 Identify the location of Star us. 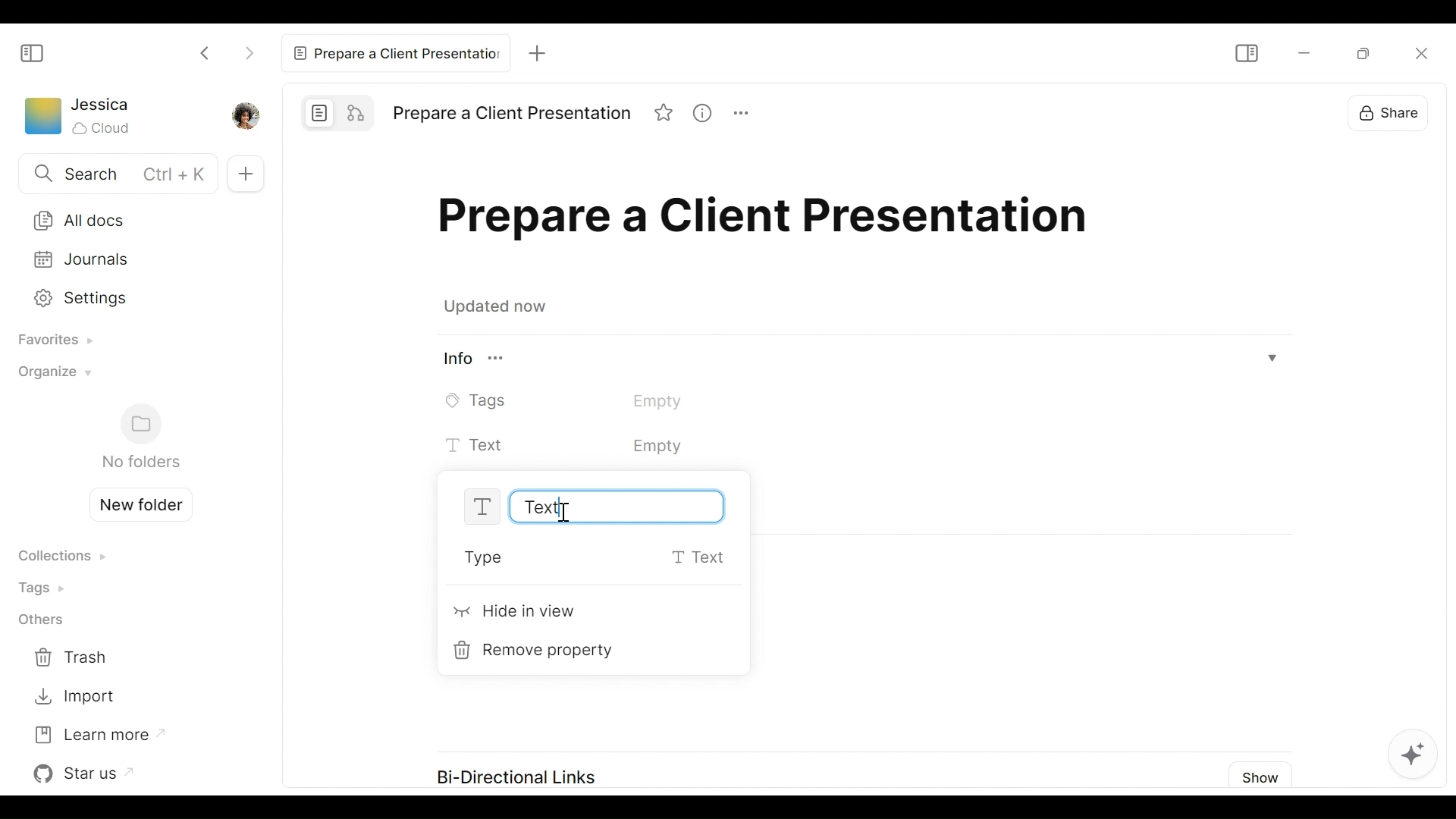
(87, 773).